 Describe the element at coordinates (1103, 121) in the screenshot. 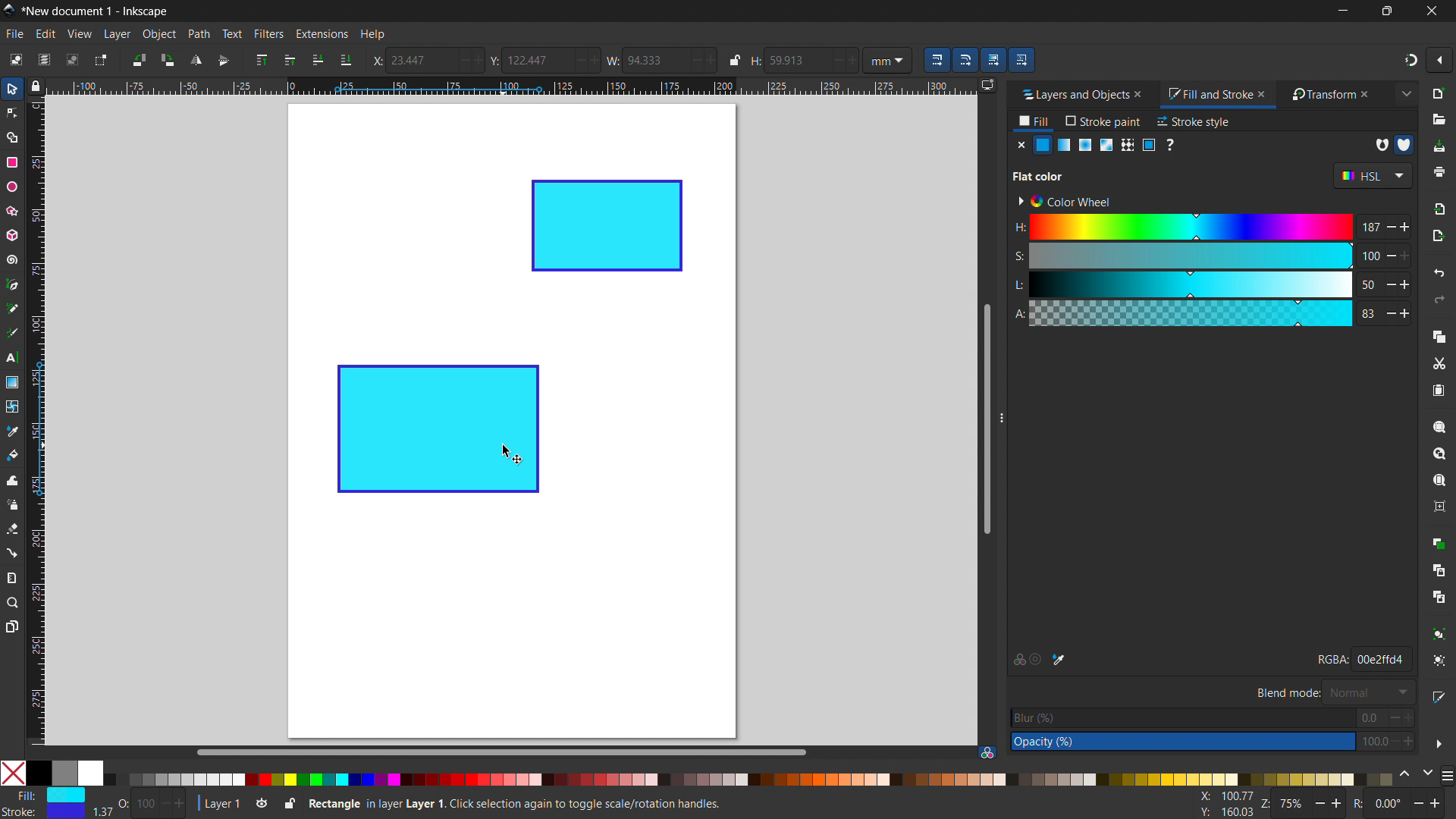

I see `stroke paint` at that location.